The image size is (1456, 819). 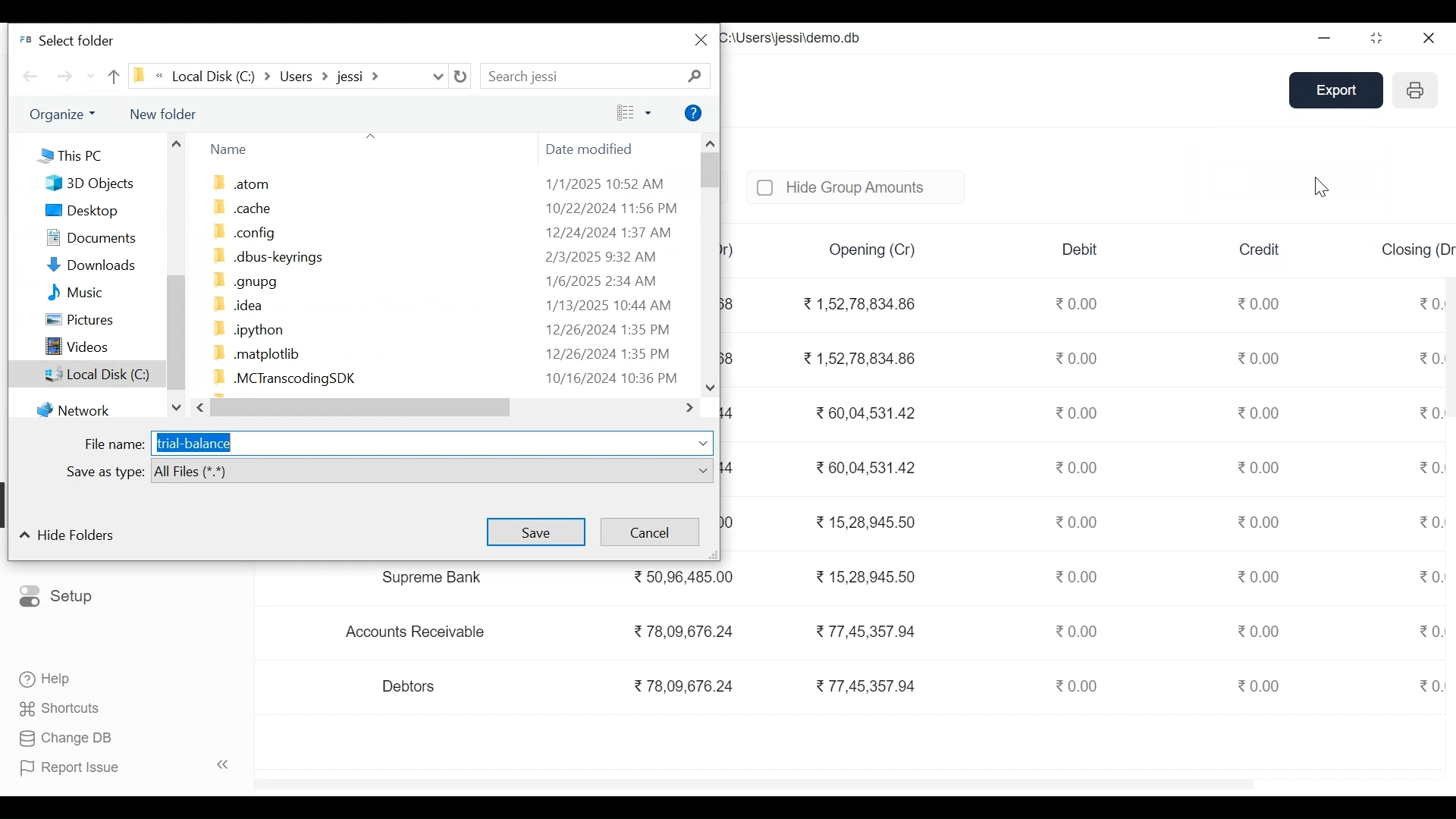 What do you see at coordinates (1081, 359) in the screenshot?
I see `0.00` at bounding box center [1081, 359].